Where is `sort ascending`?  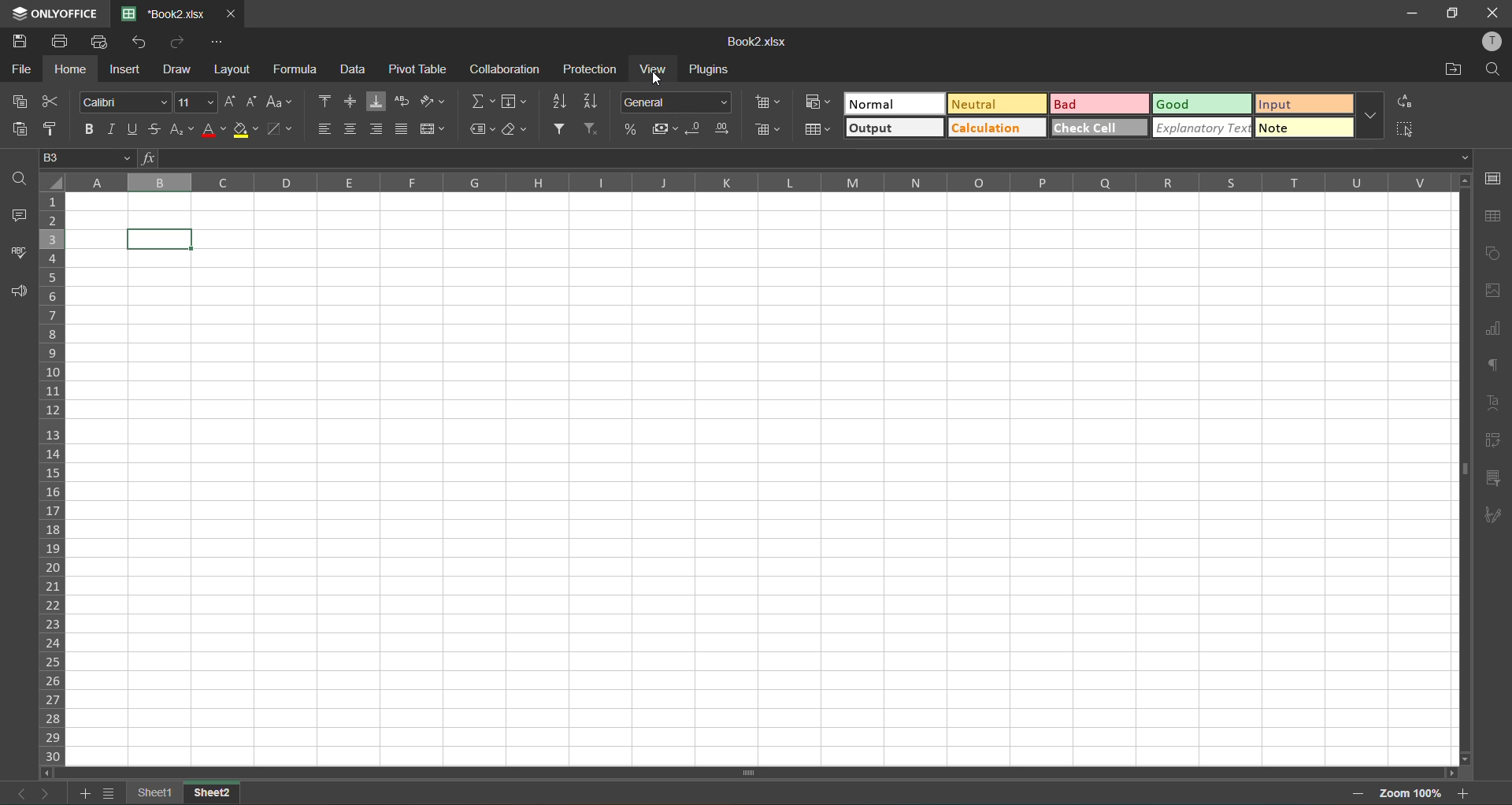 sort ascending is located at coordinates (564, 102).